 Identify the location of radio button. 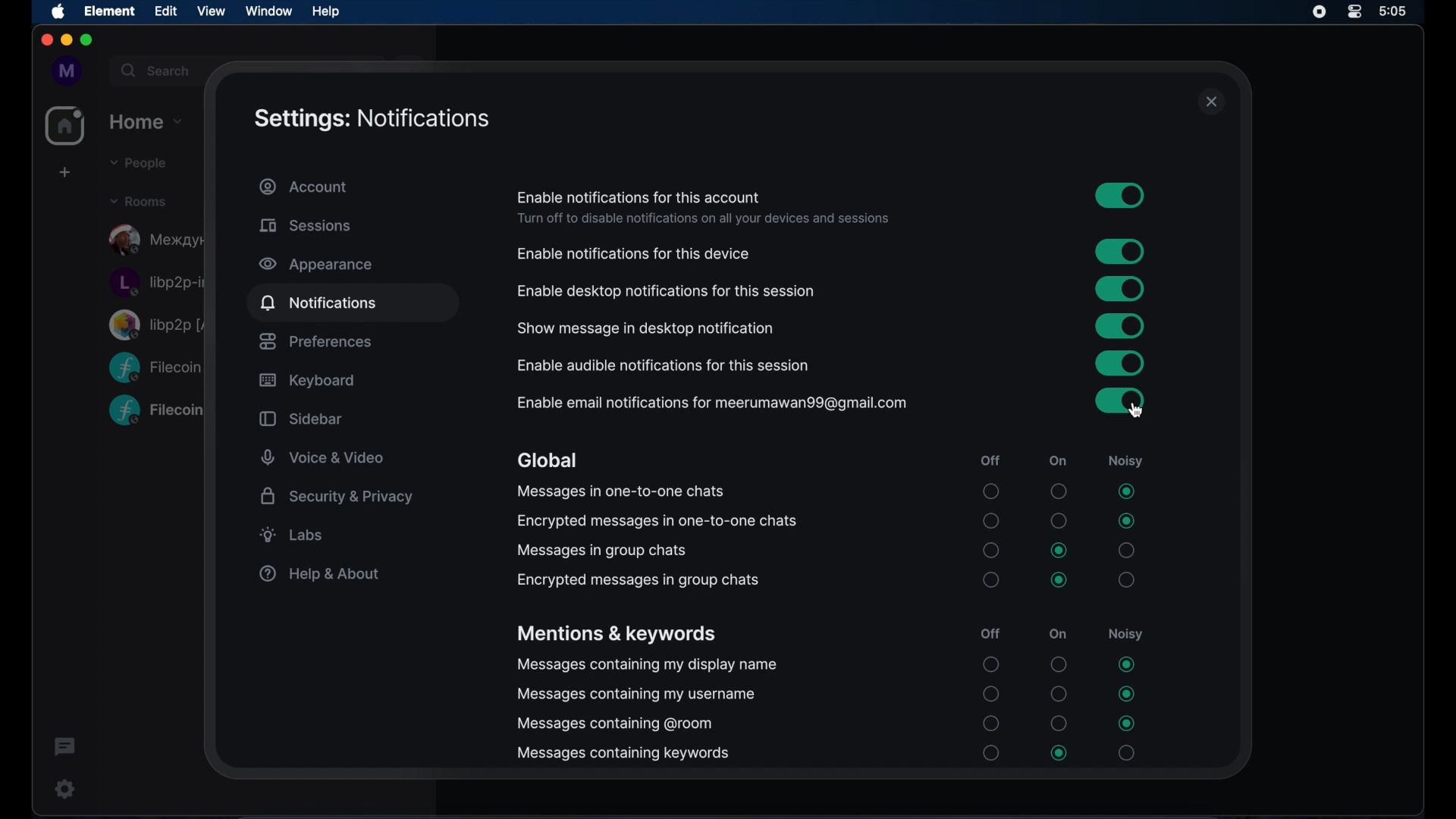
(1059, 520).